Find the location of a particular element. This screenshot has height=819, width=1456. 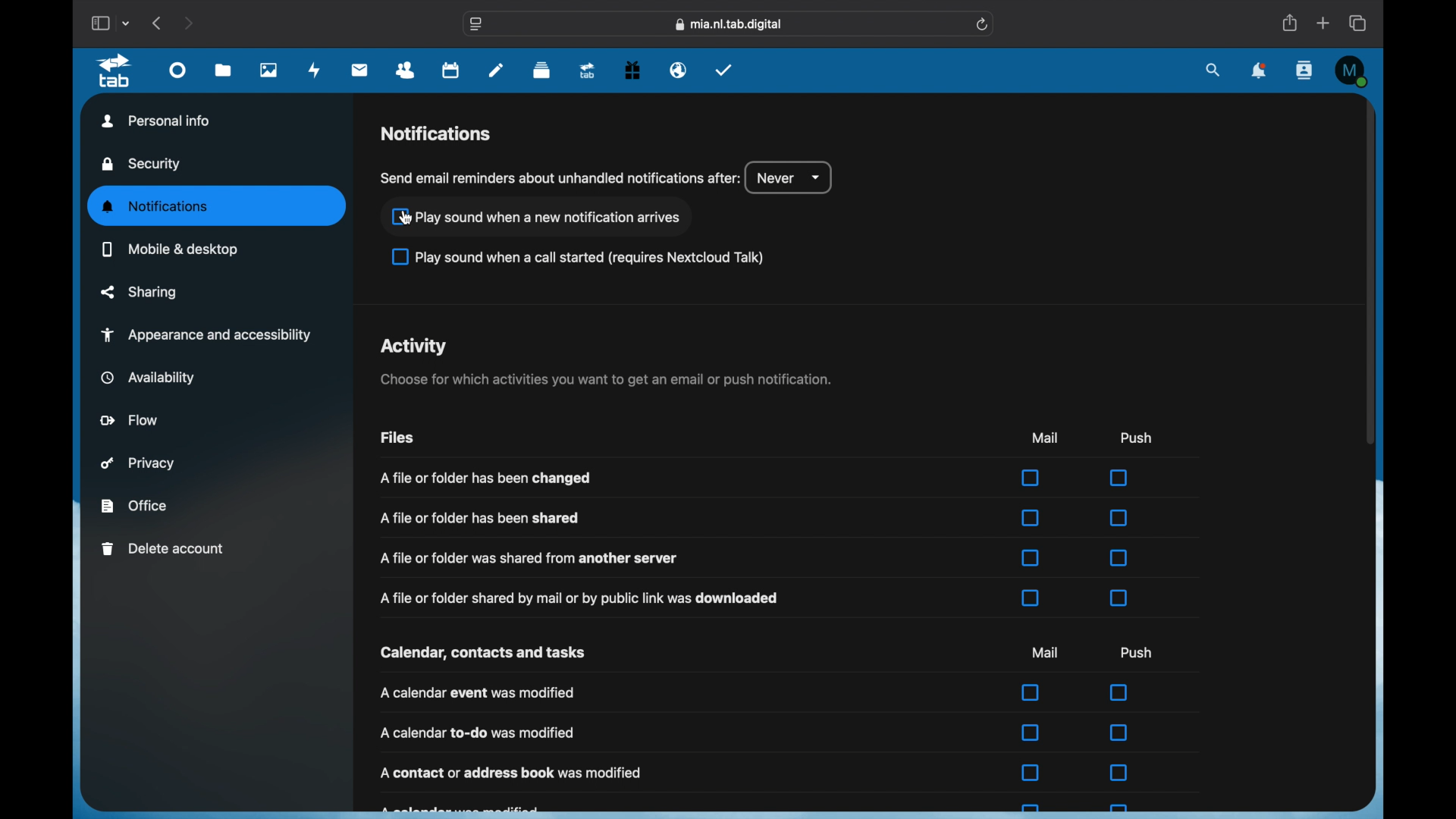

personal info is located at coordinates (156, 120).